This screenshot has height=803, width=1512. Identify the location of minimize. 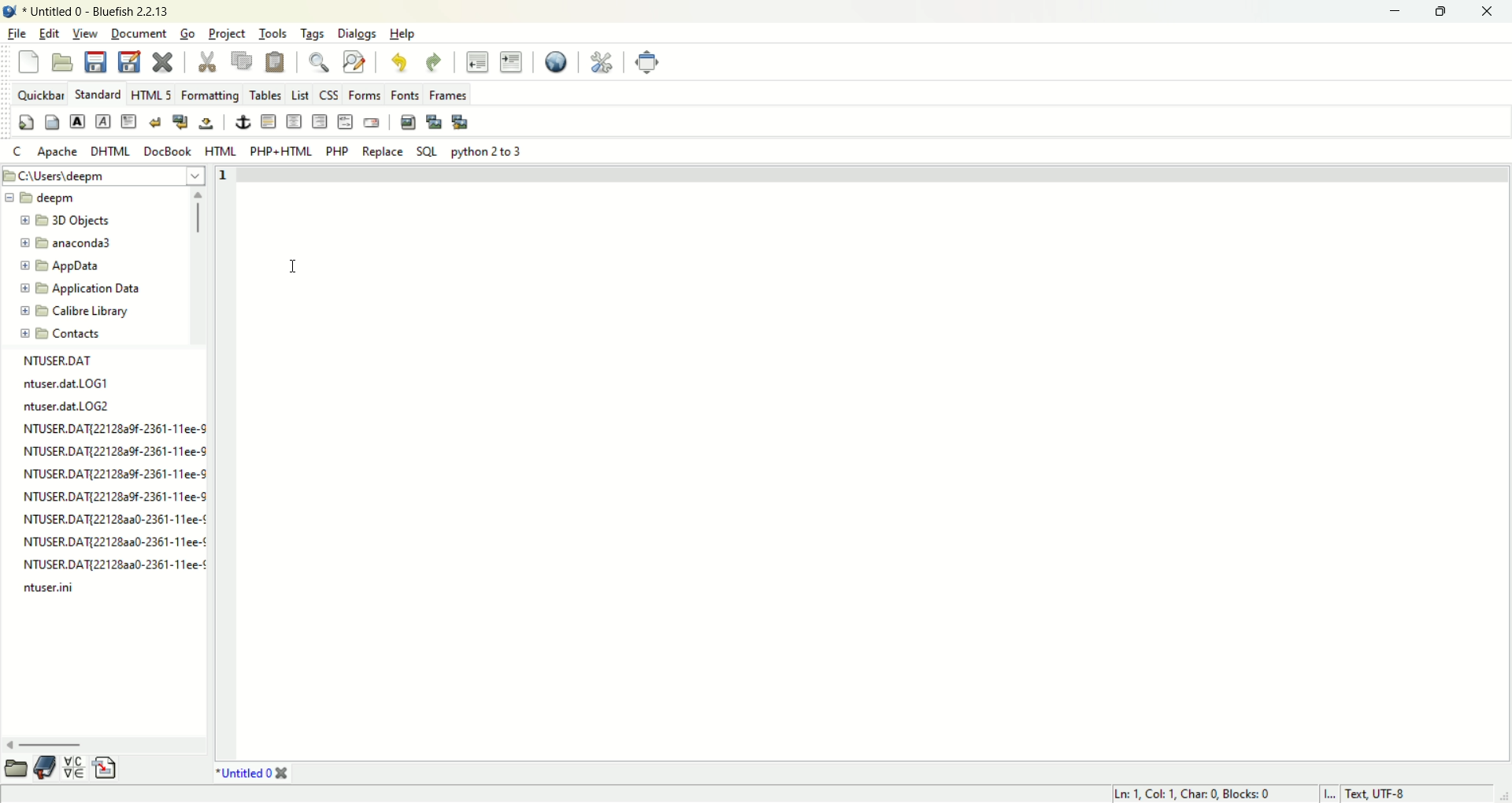
(1399, 12).